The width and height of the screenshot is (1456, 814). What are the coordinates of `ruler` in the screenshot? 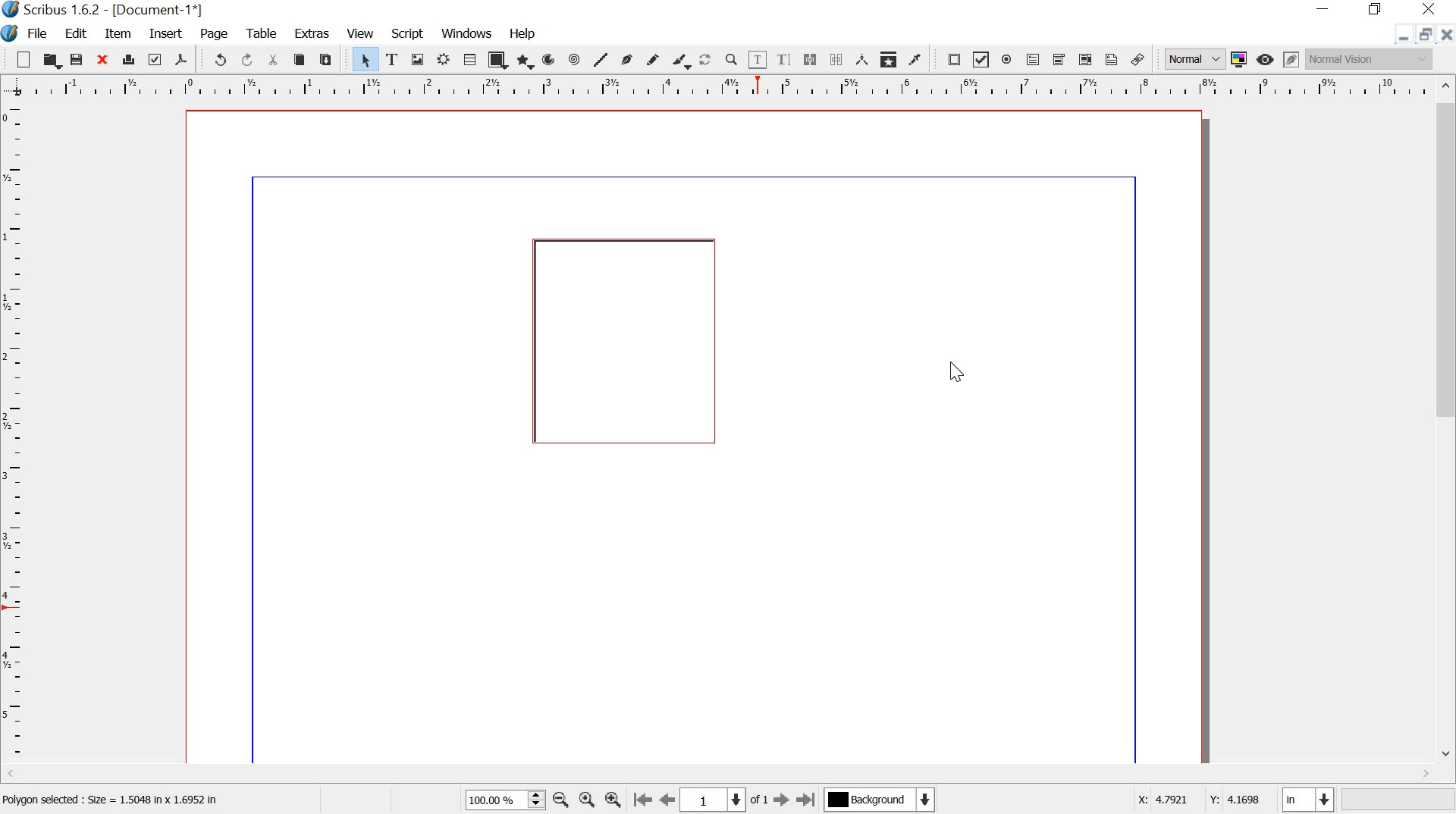 It's located at (14, 435).